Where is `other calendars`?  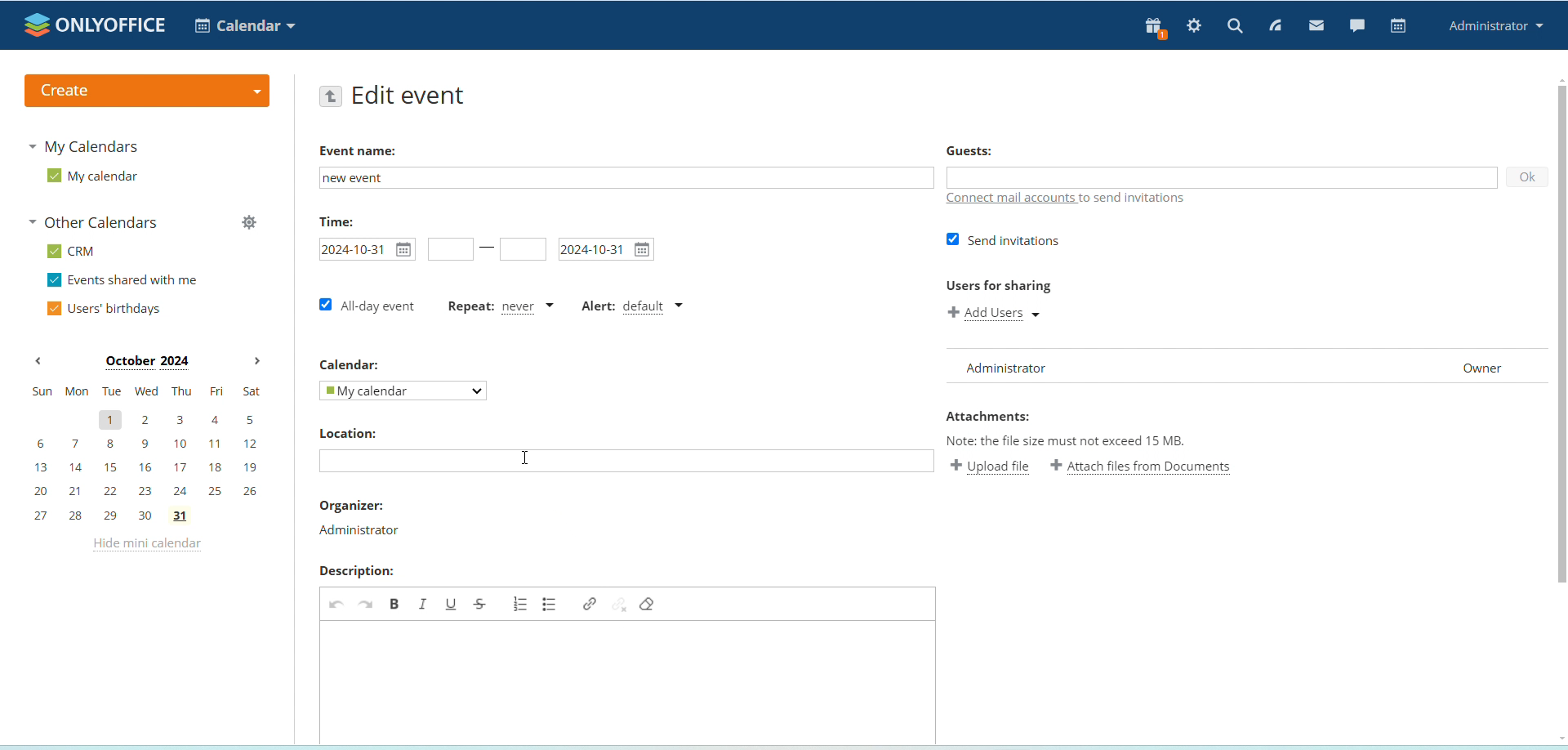
other calendars is located at coordinates (98, 224).